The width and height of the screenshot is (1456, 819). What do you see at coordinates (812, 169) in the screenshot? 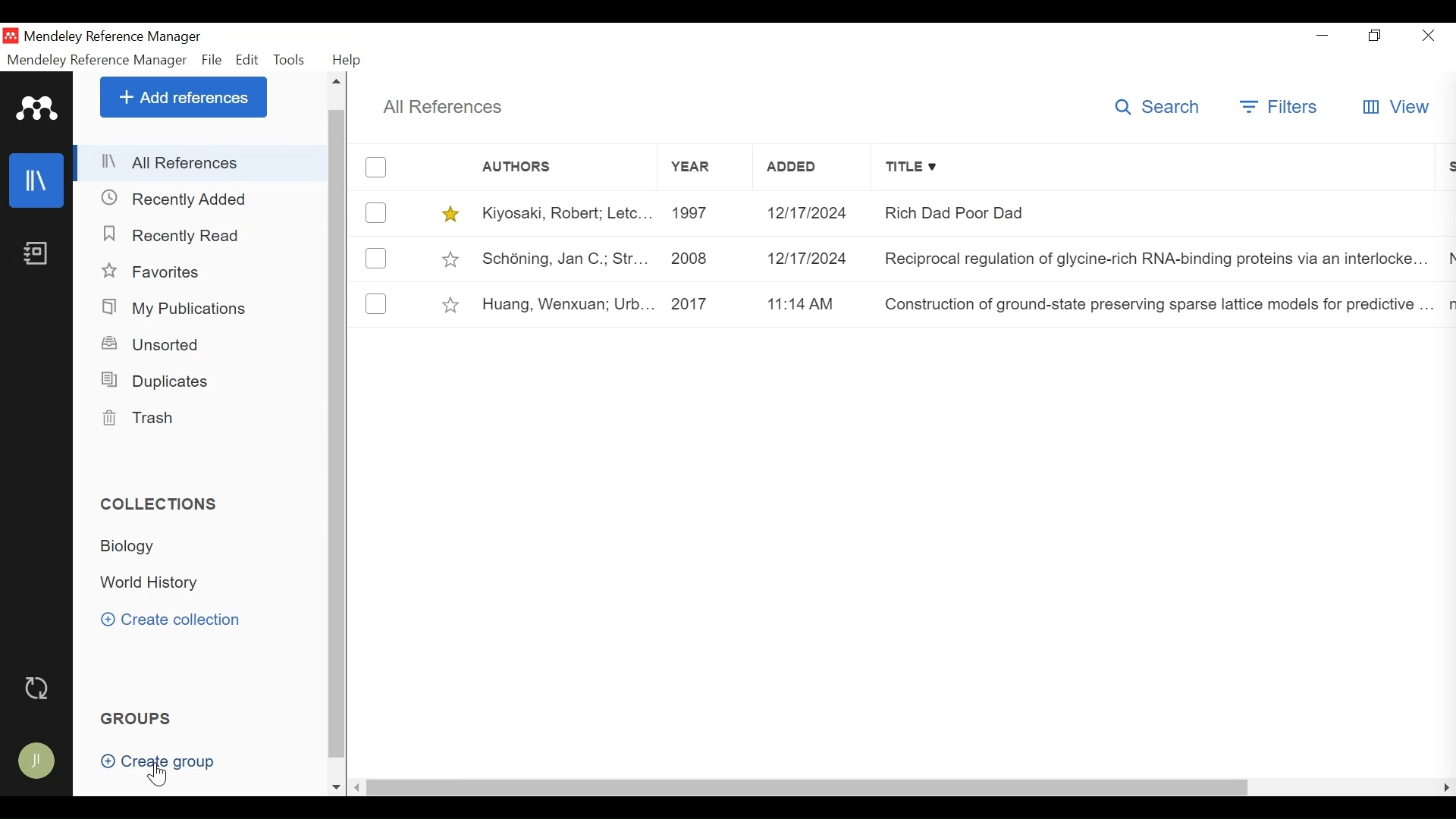
I see `Added` at bounding box center [812, 169].